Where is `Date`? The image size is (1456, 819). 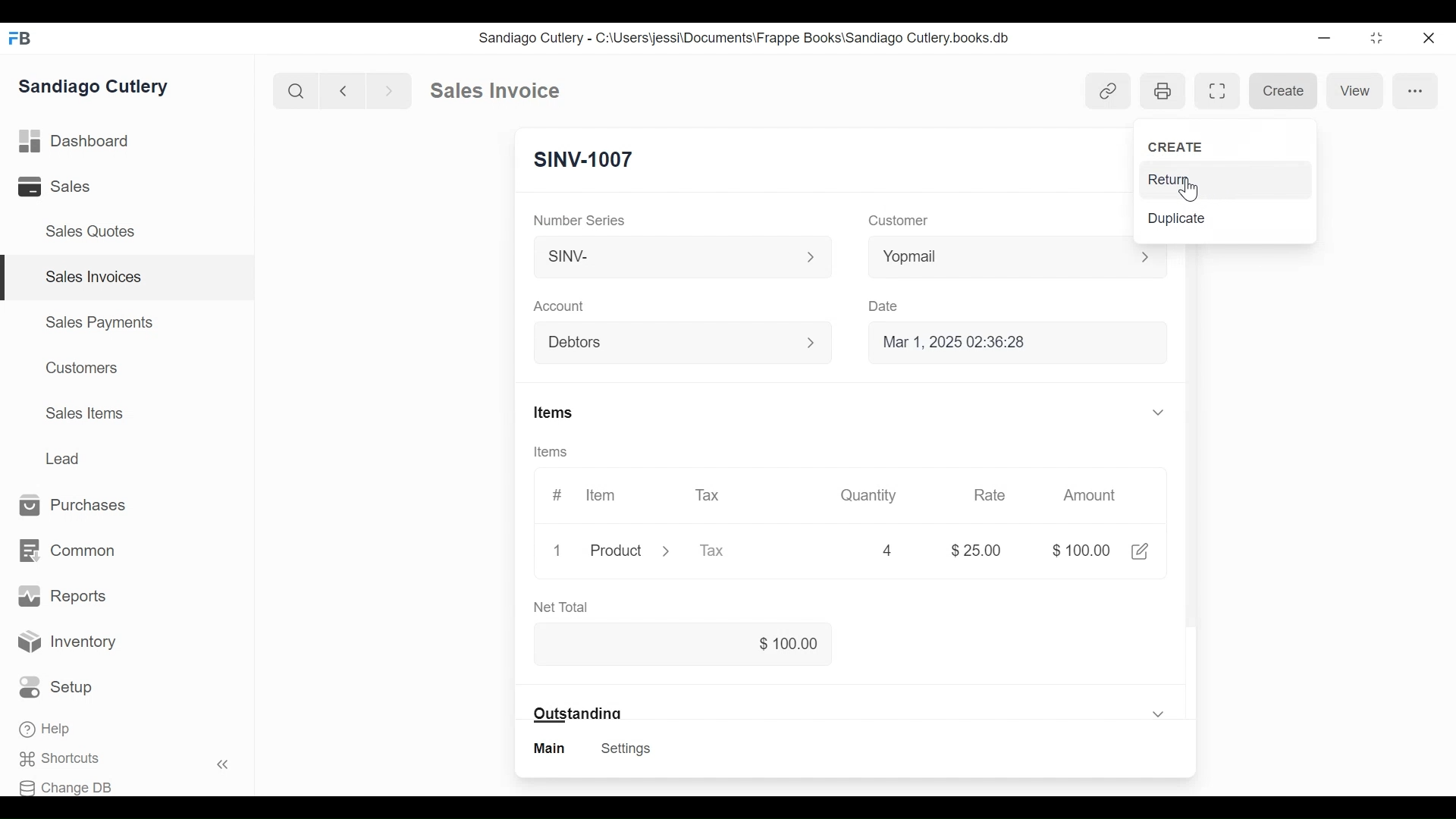 Date is located at coordinates (883, 306).